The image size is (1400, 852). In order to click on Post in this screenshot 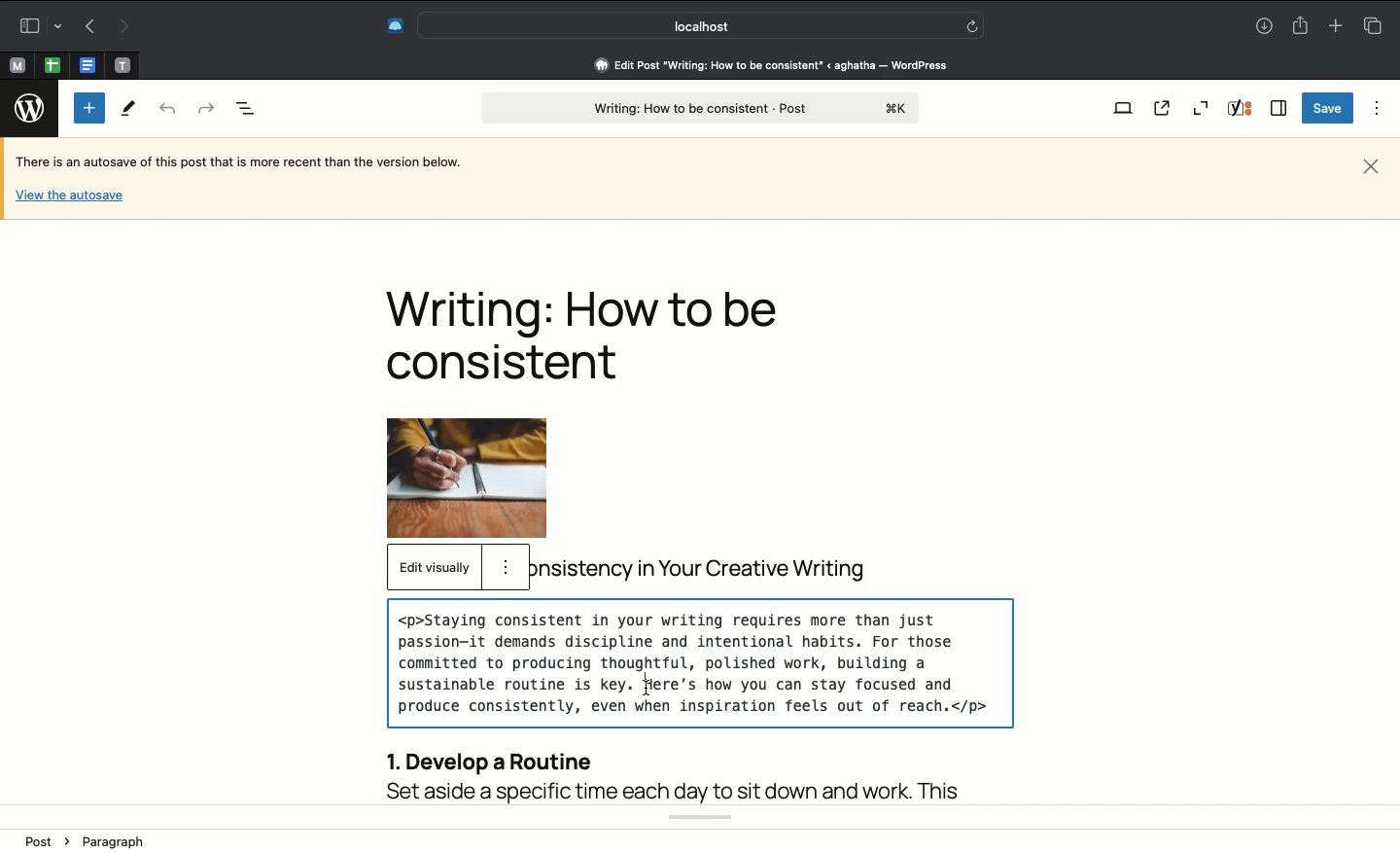, I will do `click(50, 840)`.